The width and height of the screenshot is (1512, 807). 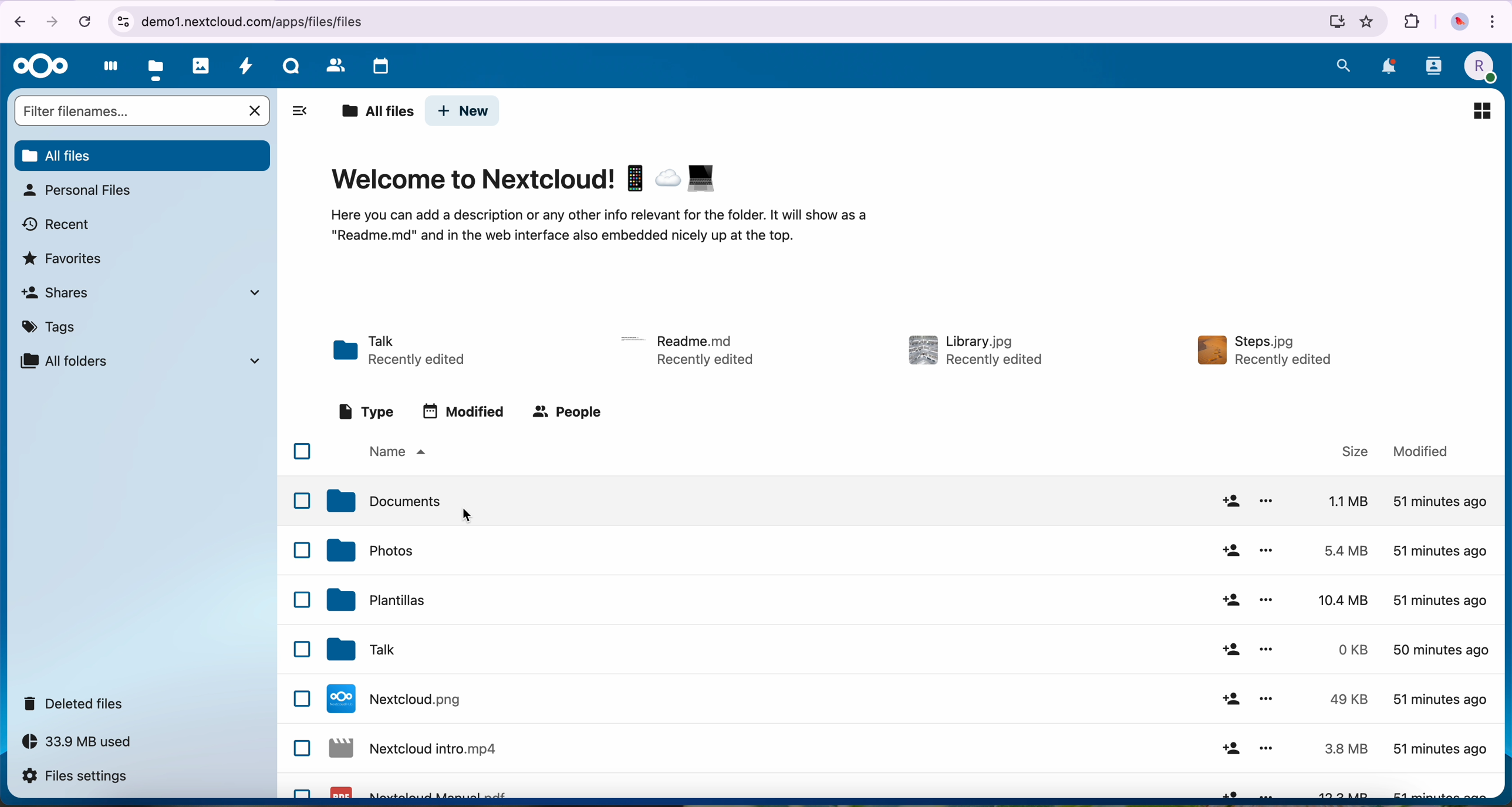 What do you see at coordinates (302, 451) in the screenshot?
I see `checkbox` at bounding box center [302, 451].